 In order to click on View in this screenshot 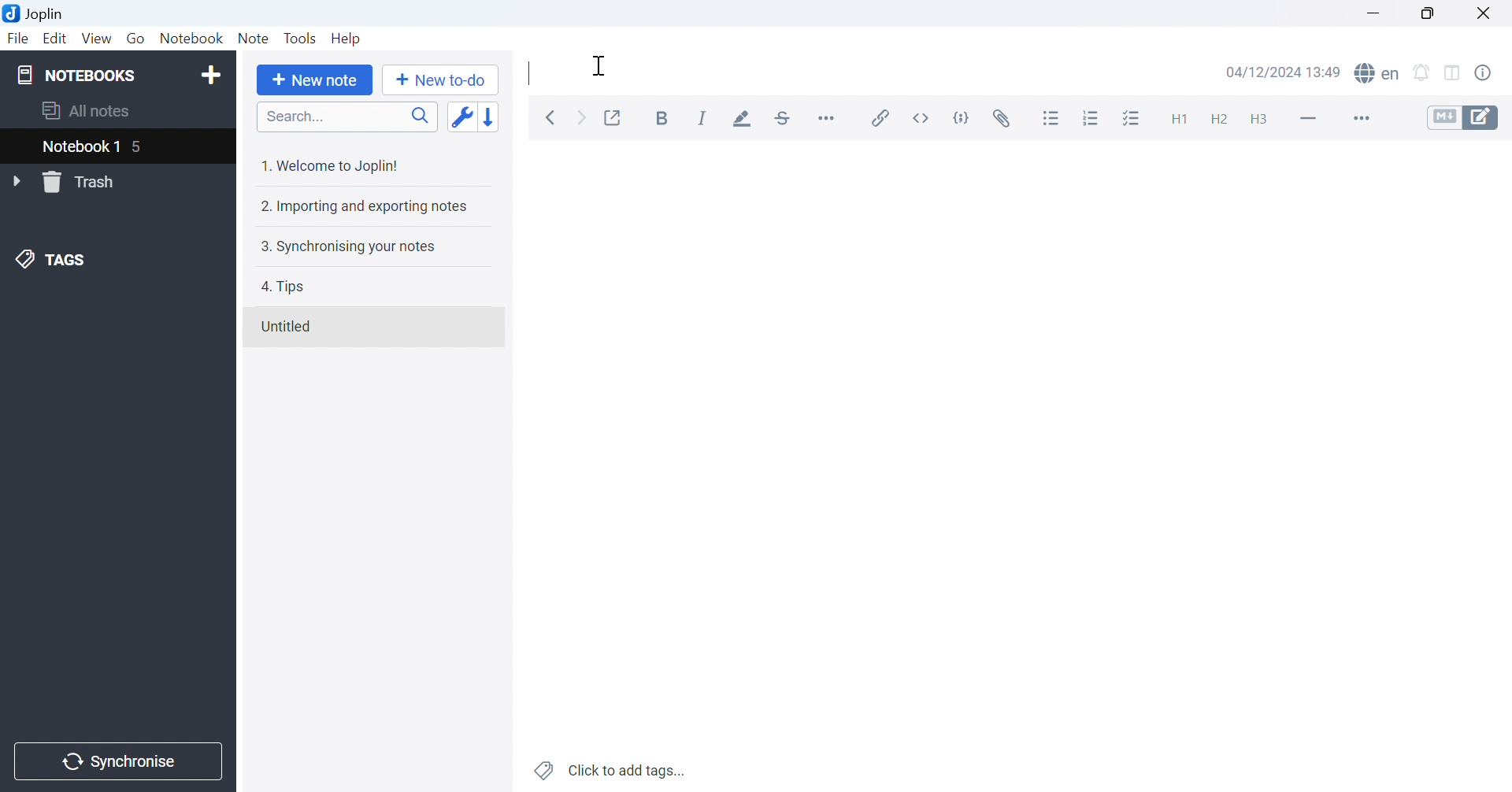, I will do `click(97, 37)`.